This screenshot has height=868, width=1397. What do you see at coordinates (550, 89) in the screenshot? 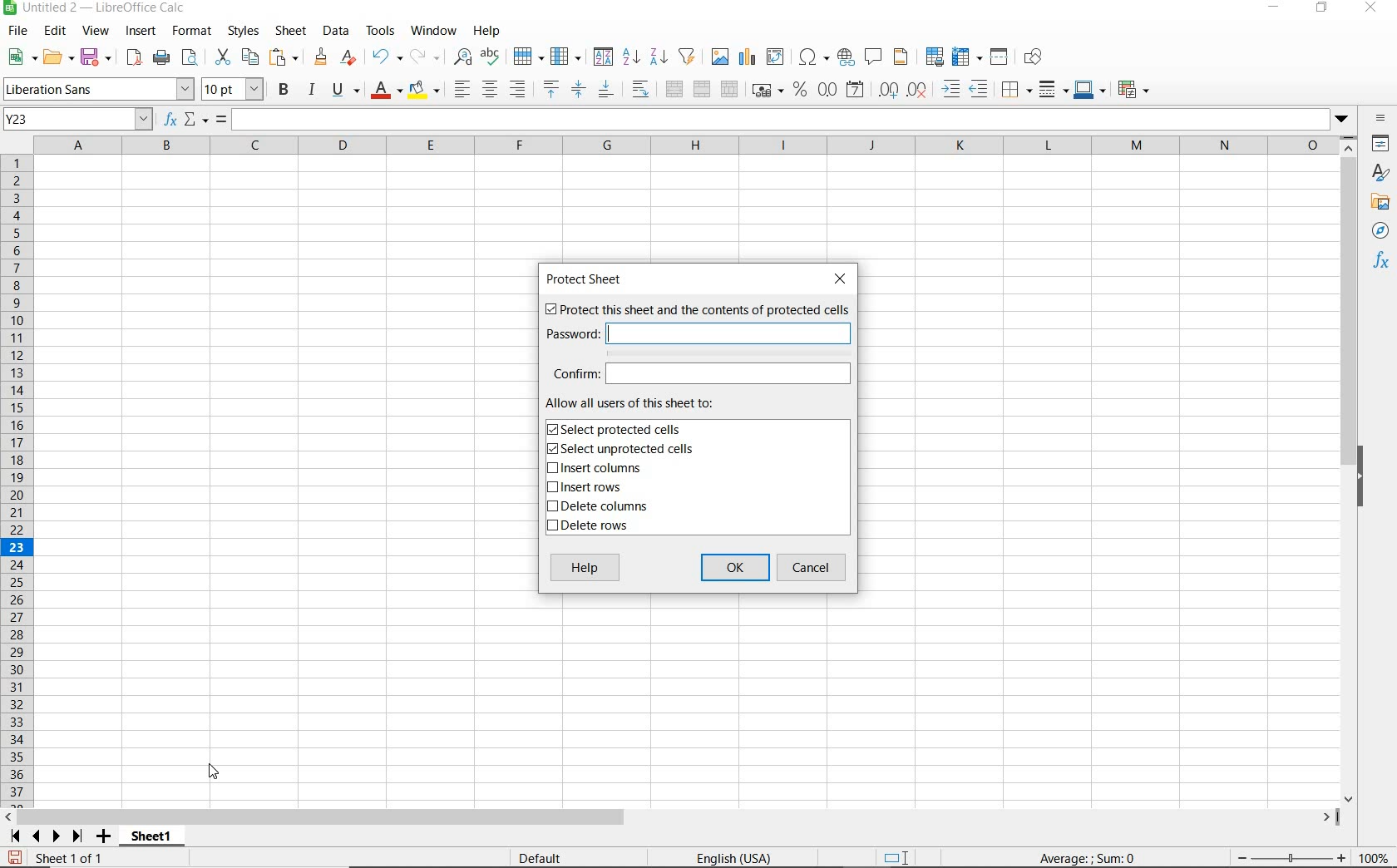
I see `ALIGN TOP` at bounding box center [550, 89].